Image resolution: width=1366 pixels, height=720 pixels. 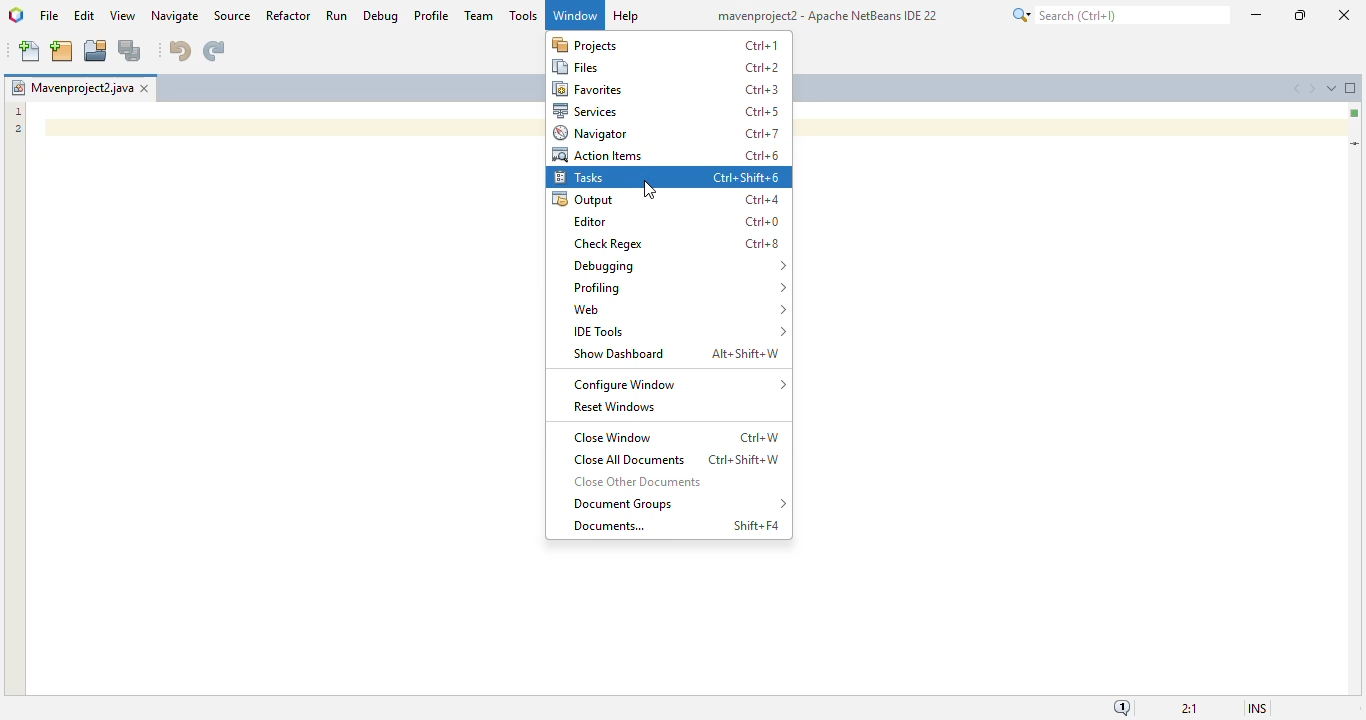 What do you see at coordinates (679, 288) in the screenshot?
I see `profiling` at bounding box center [679, 288].